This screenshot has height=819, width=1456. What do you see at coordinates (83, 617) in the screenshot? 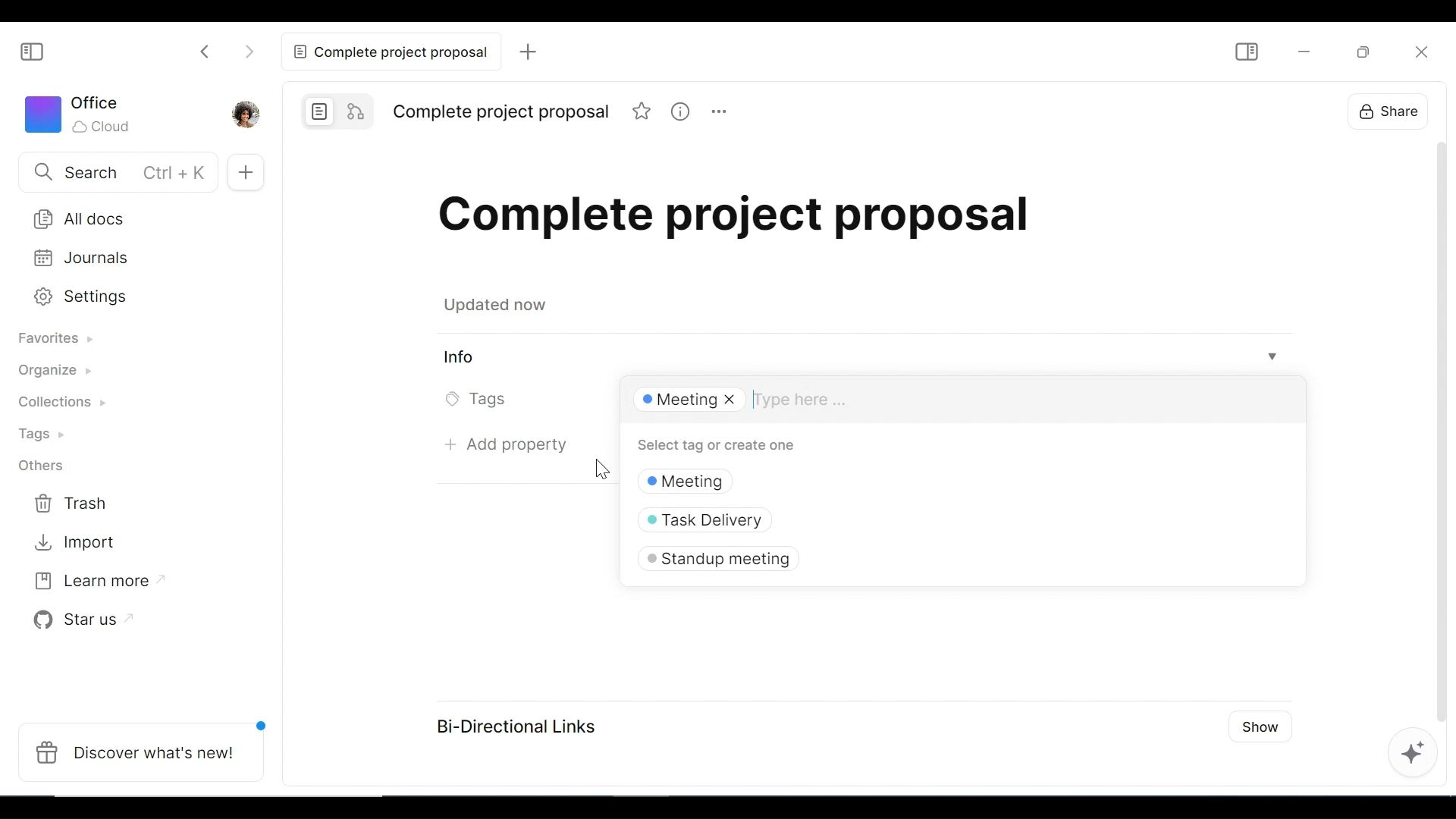
I see `Star us` at bounding box center [83, 617].